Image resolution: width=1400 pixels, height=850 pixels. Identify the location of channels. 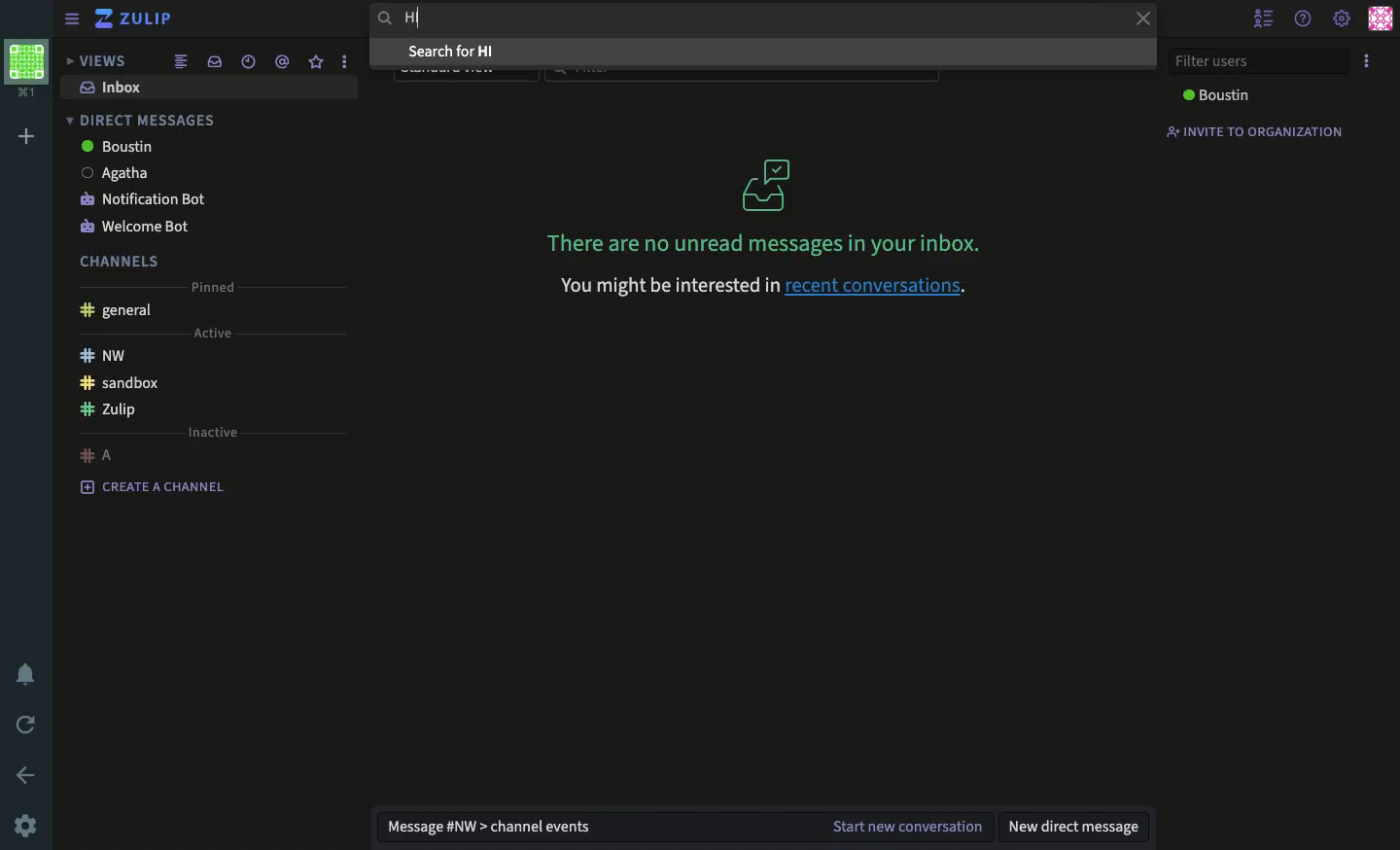
(121, 261).